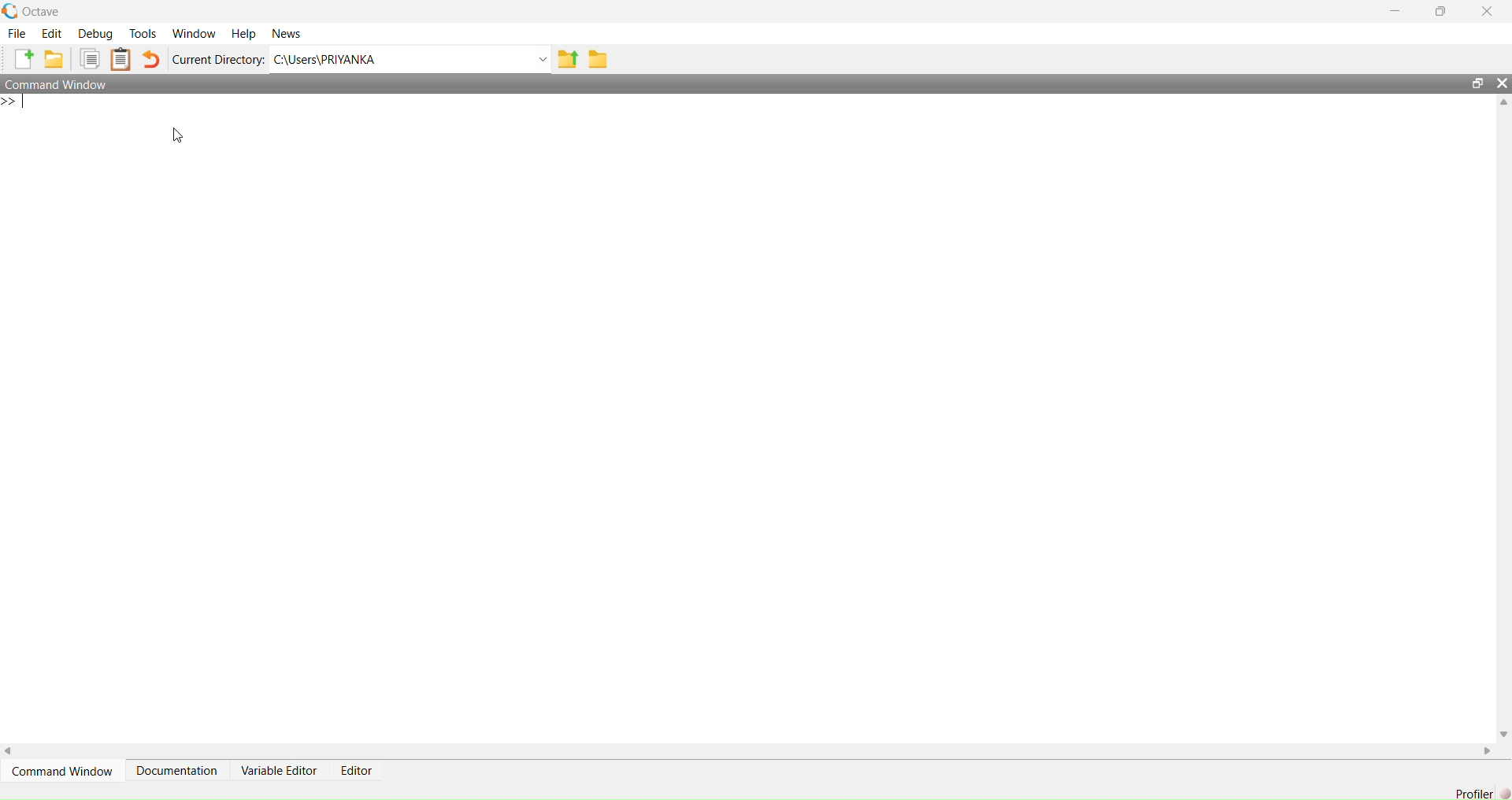 The image size is (1512, 800). What do you see at coordinates (52, 33) in the screenshot?
I see `Edit` at bounding box center [52, 33].